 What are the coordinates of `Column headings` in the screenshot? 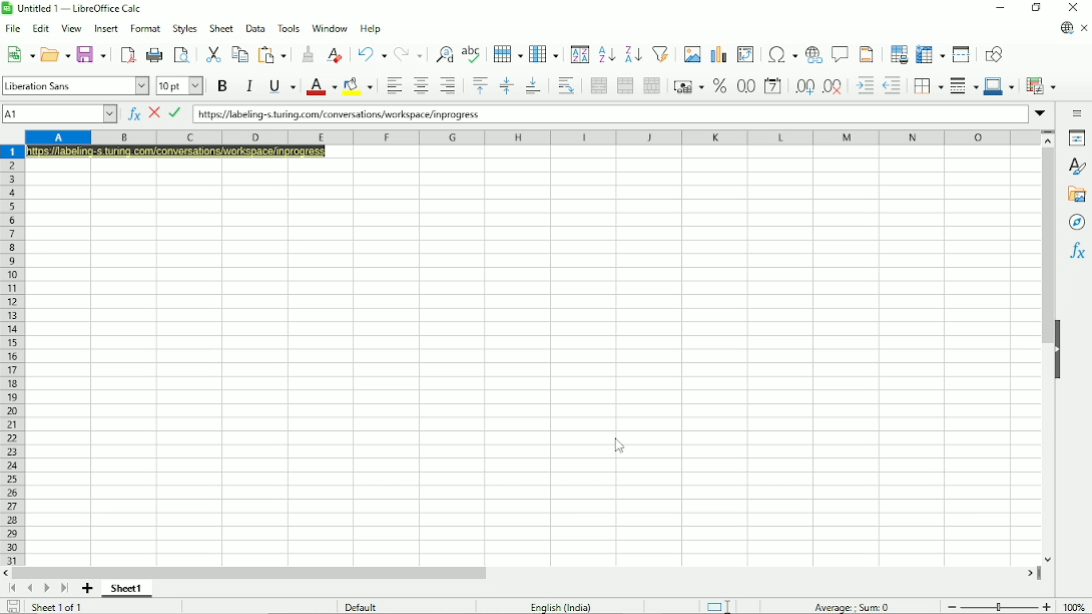 It's located at (531, 137).